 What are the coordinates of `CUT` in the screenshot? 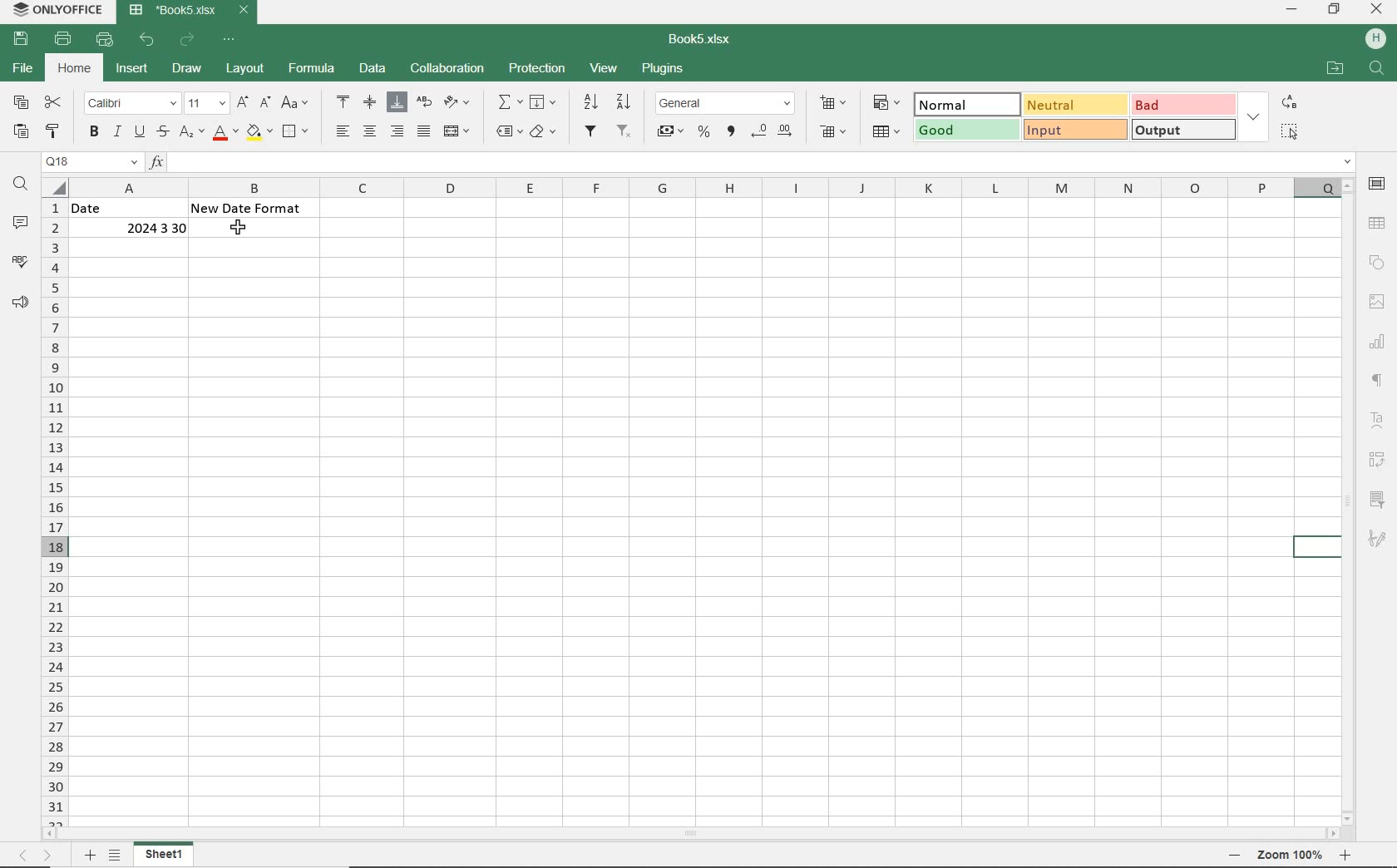 It's located at (53, 104).